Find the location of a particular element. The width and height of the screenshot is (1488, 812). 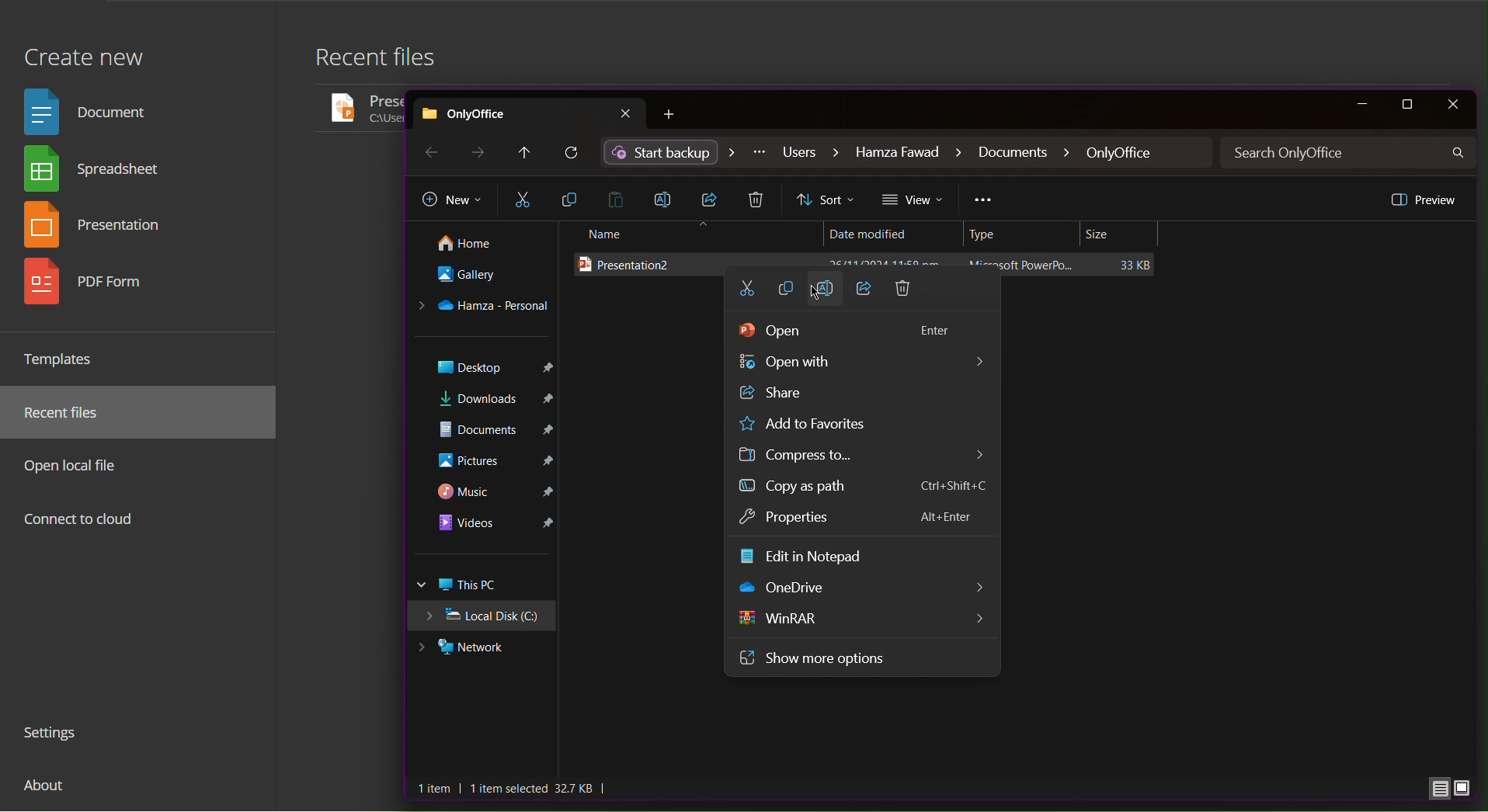

Add to Favorites is located at coordinates (826, 425).